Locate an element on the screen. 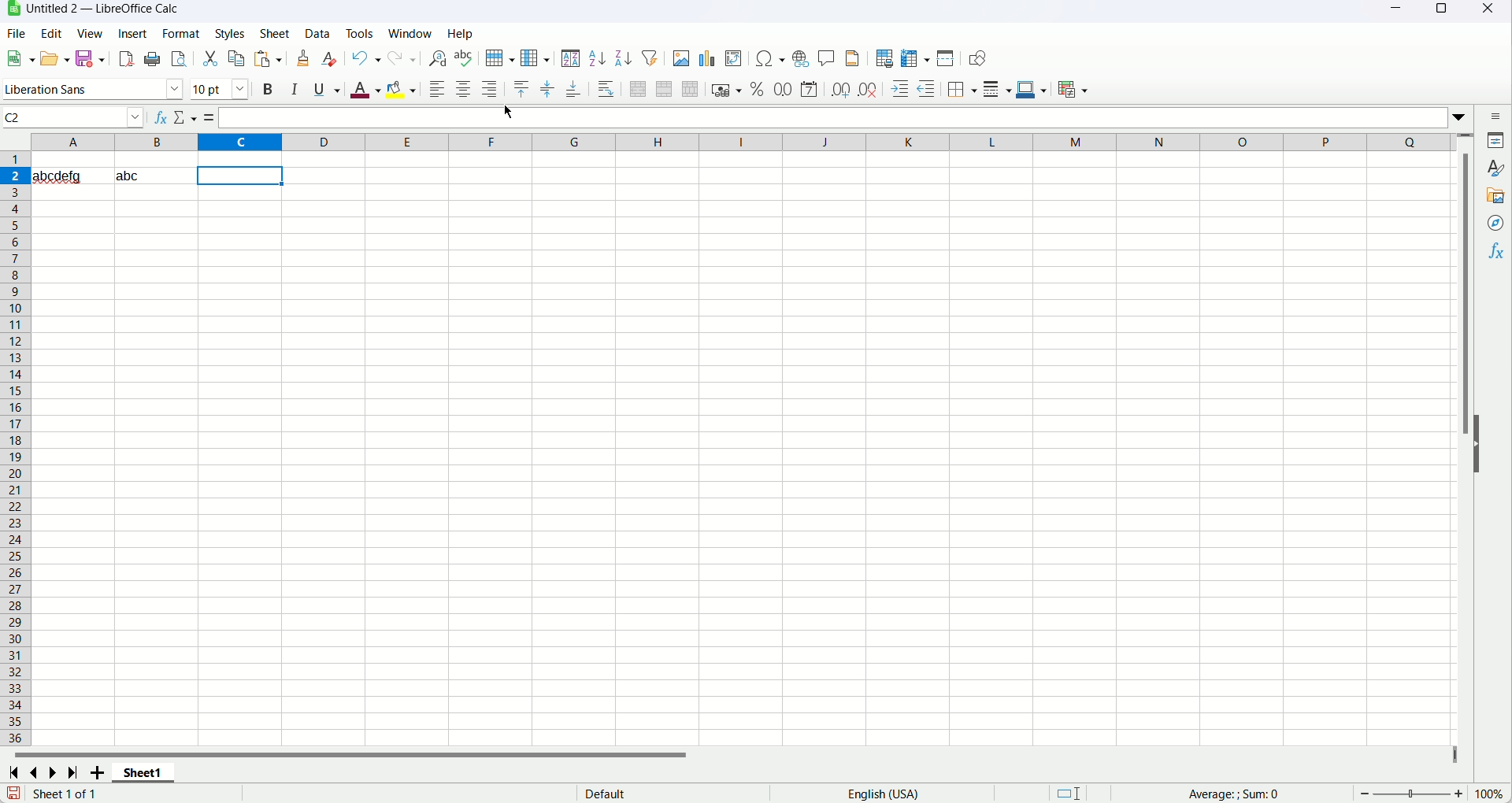 The width and height of the screenshot is (1512, 803). cut is located at coordinates (209, 58).